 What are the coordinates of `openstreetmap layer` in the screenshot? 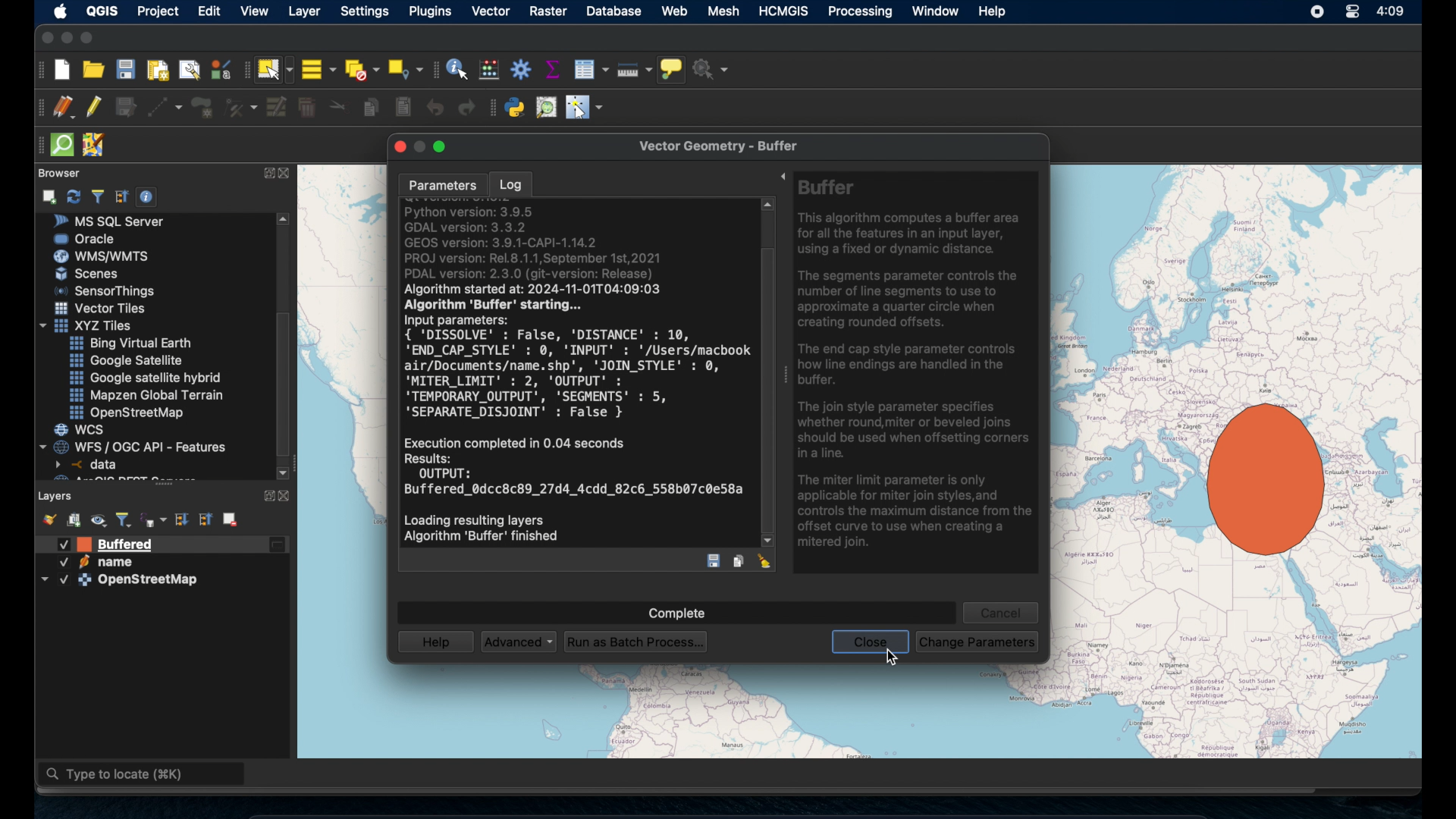 It's located at (121, 566).